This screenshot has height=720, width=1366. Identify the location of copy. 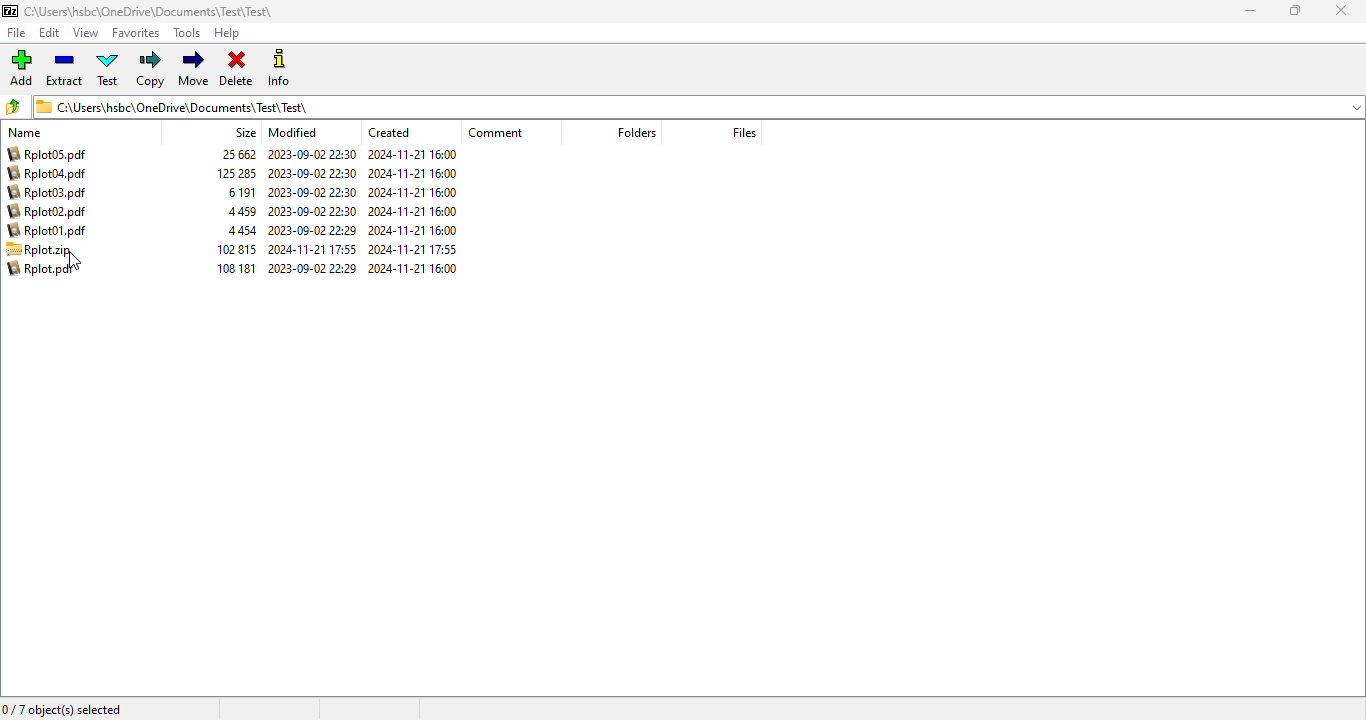
(150, 69).